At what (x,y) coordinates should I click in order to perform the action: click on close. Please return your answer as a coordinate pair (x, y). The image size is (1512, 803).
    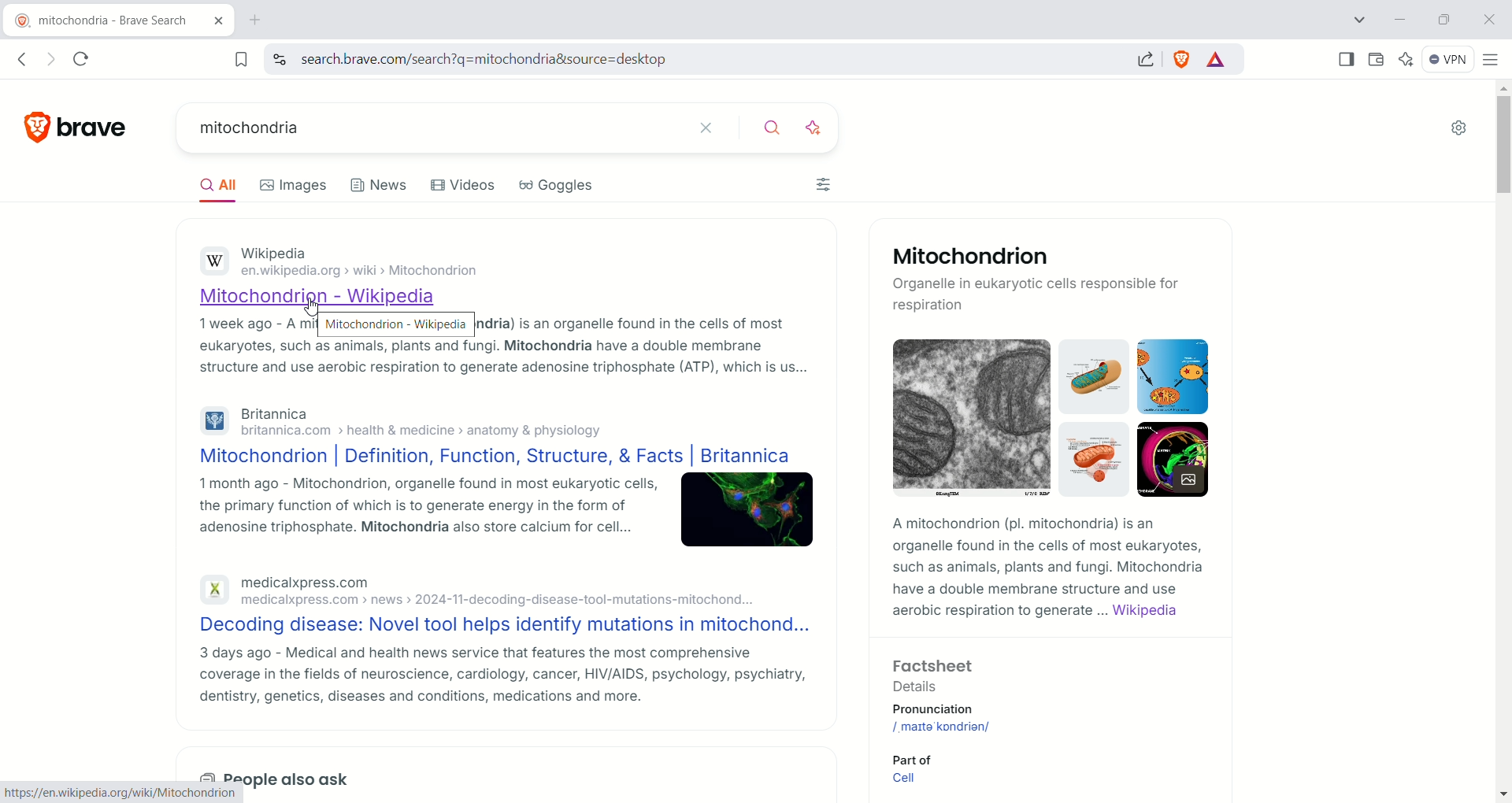
    Looking at the image, I should click on (1490, 20).